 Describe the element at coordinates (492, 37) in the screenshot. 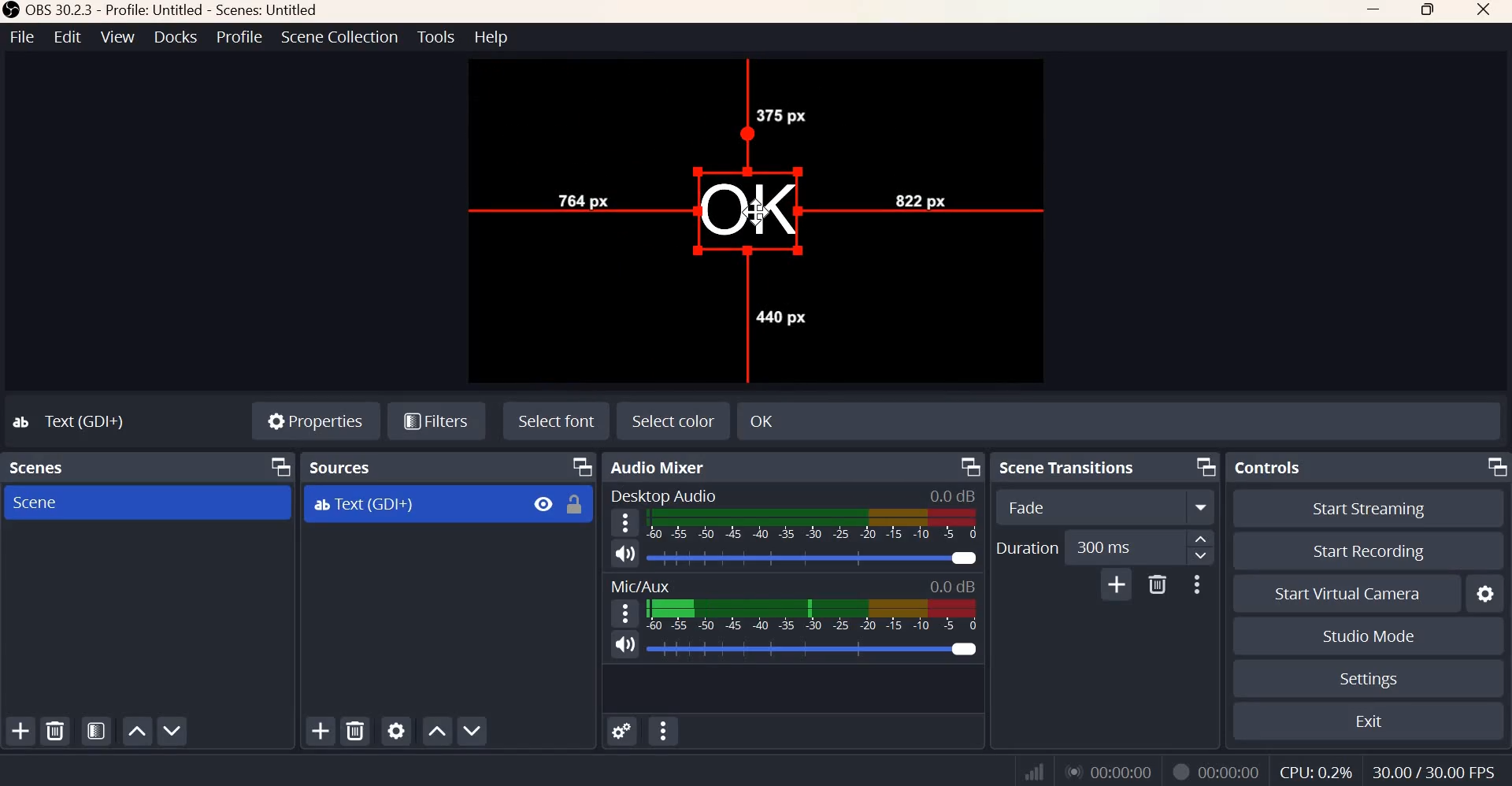

I see `Help` at that location.